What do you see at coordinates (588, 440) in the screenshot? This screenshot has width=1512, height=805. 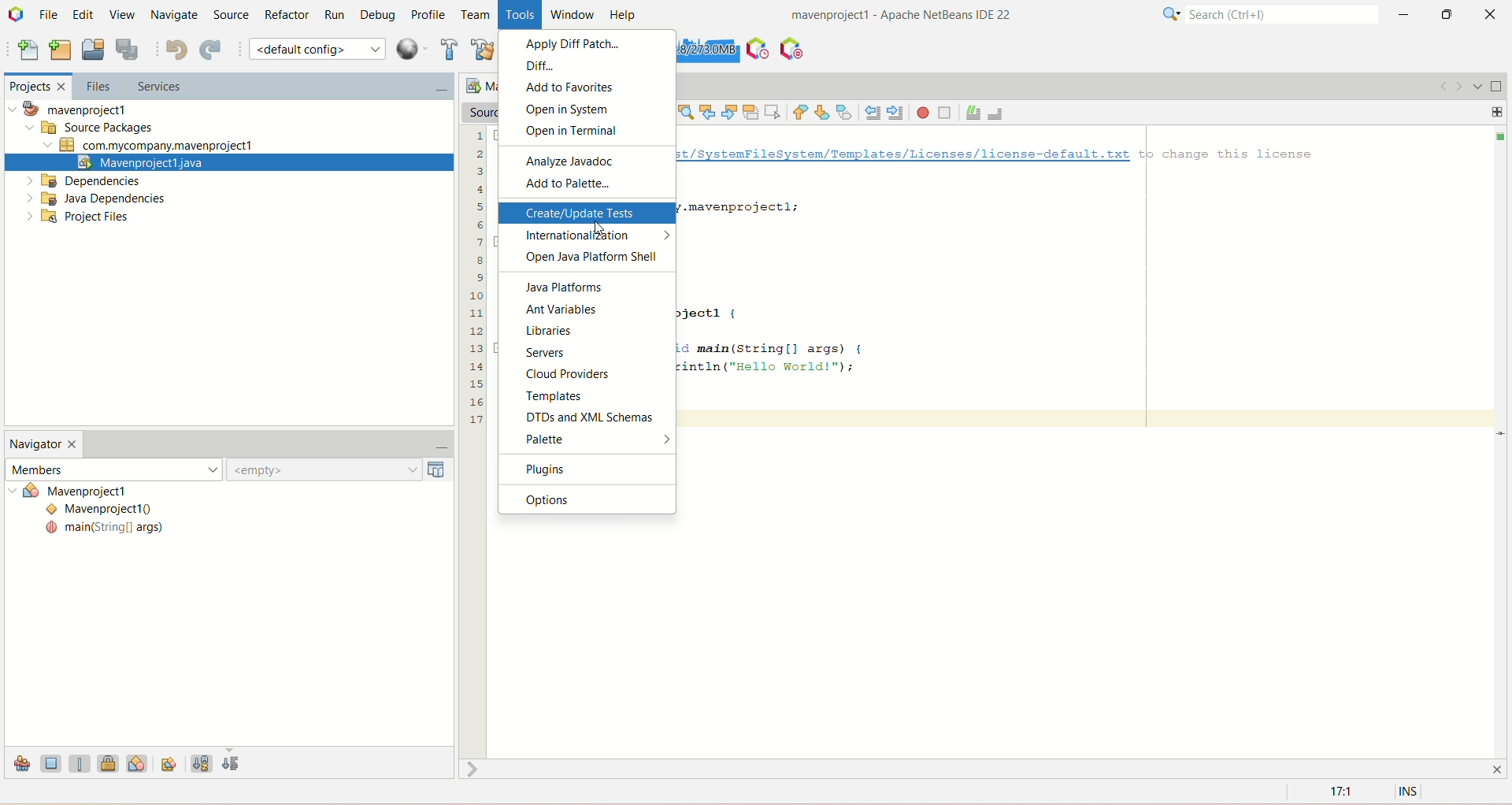 I see `palette` at bounding box center [588, 440].